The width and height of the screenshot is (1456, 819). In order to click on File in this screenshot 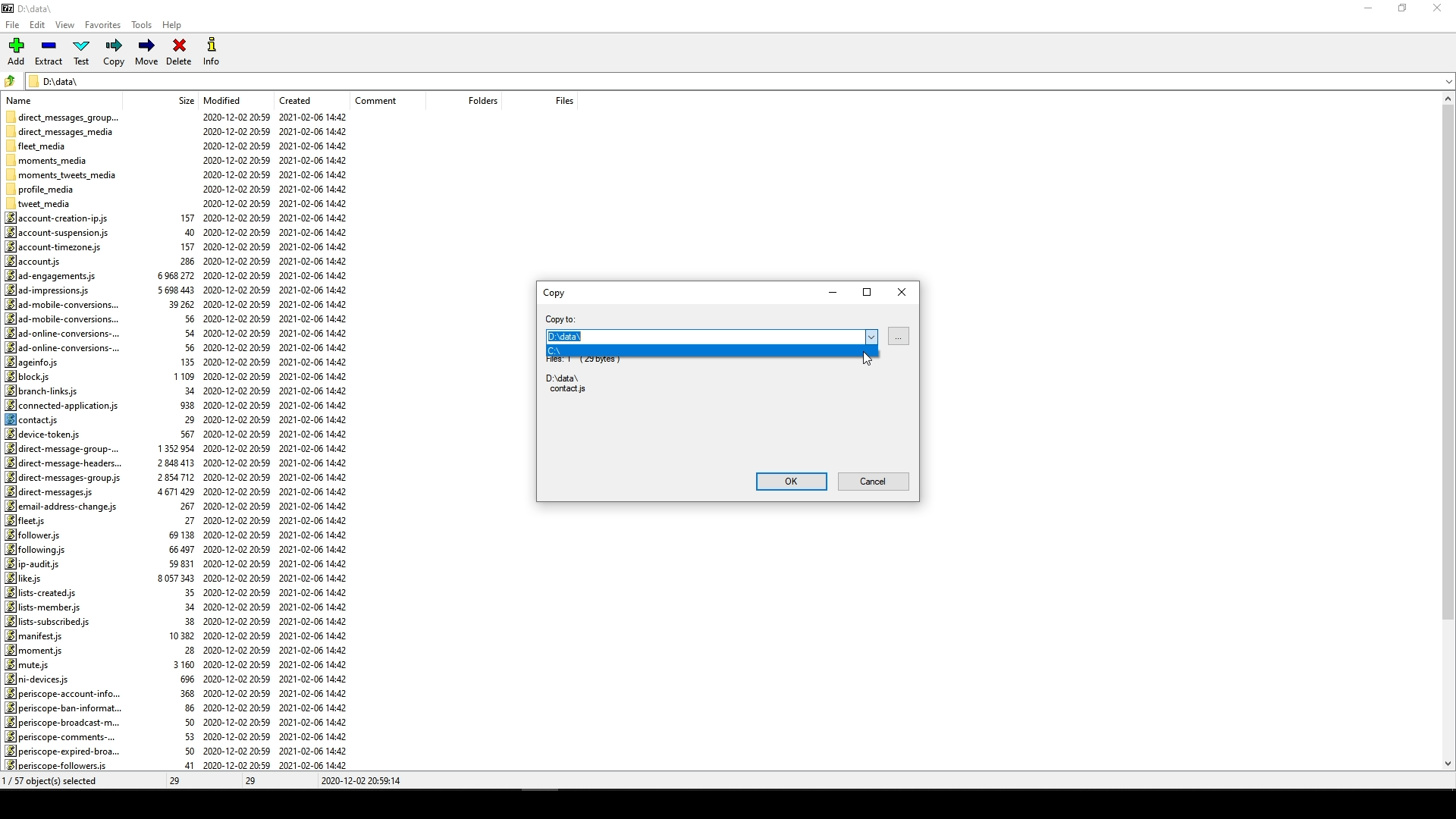, I will do `click(15, 22)`.